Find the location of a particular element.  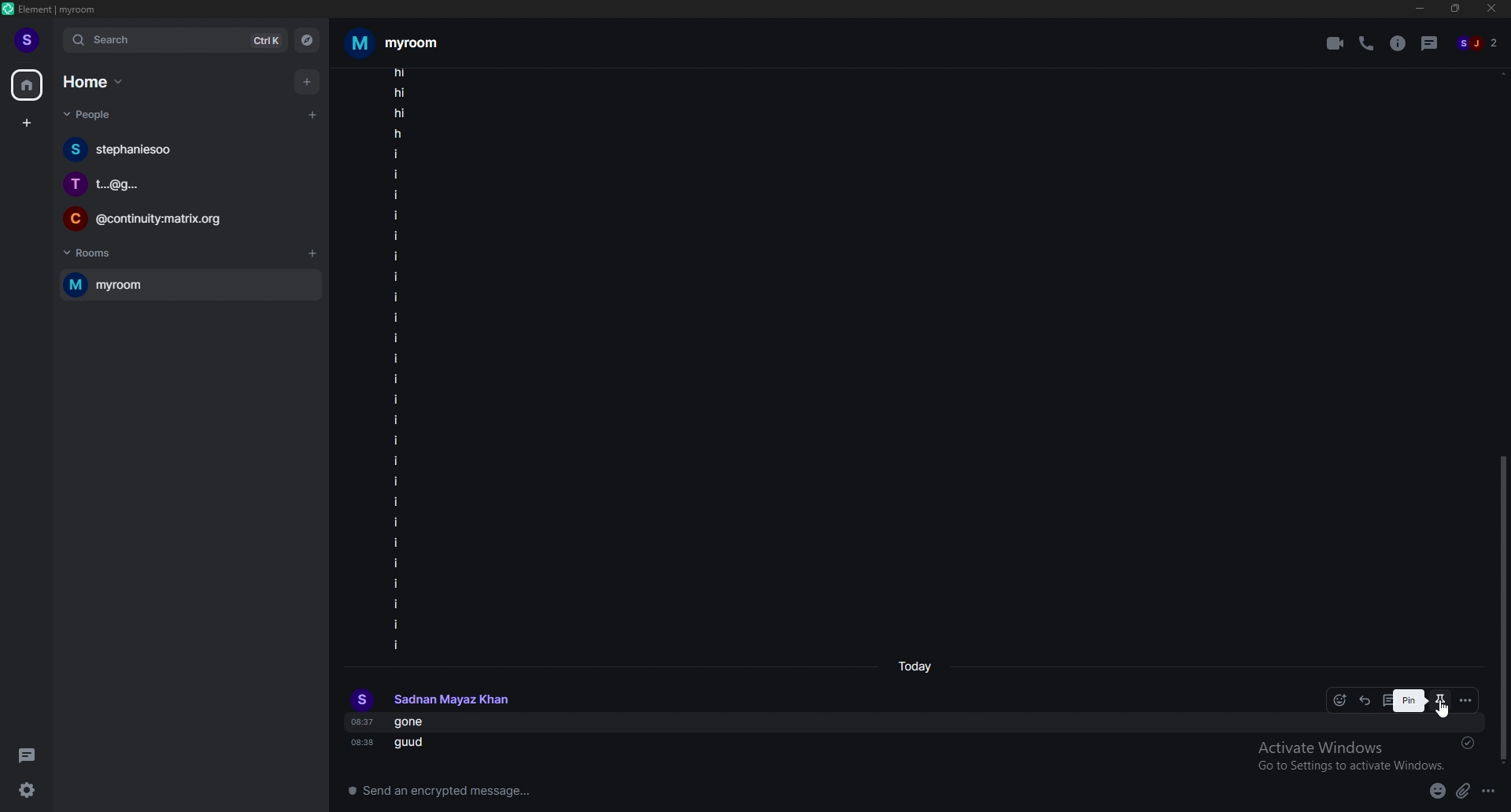

settings is located at coordinates (24, 792).